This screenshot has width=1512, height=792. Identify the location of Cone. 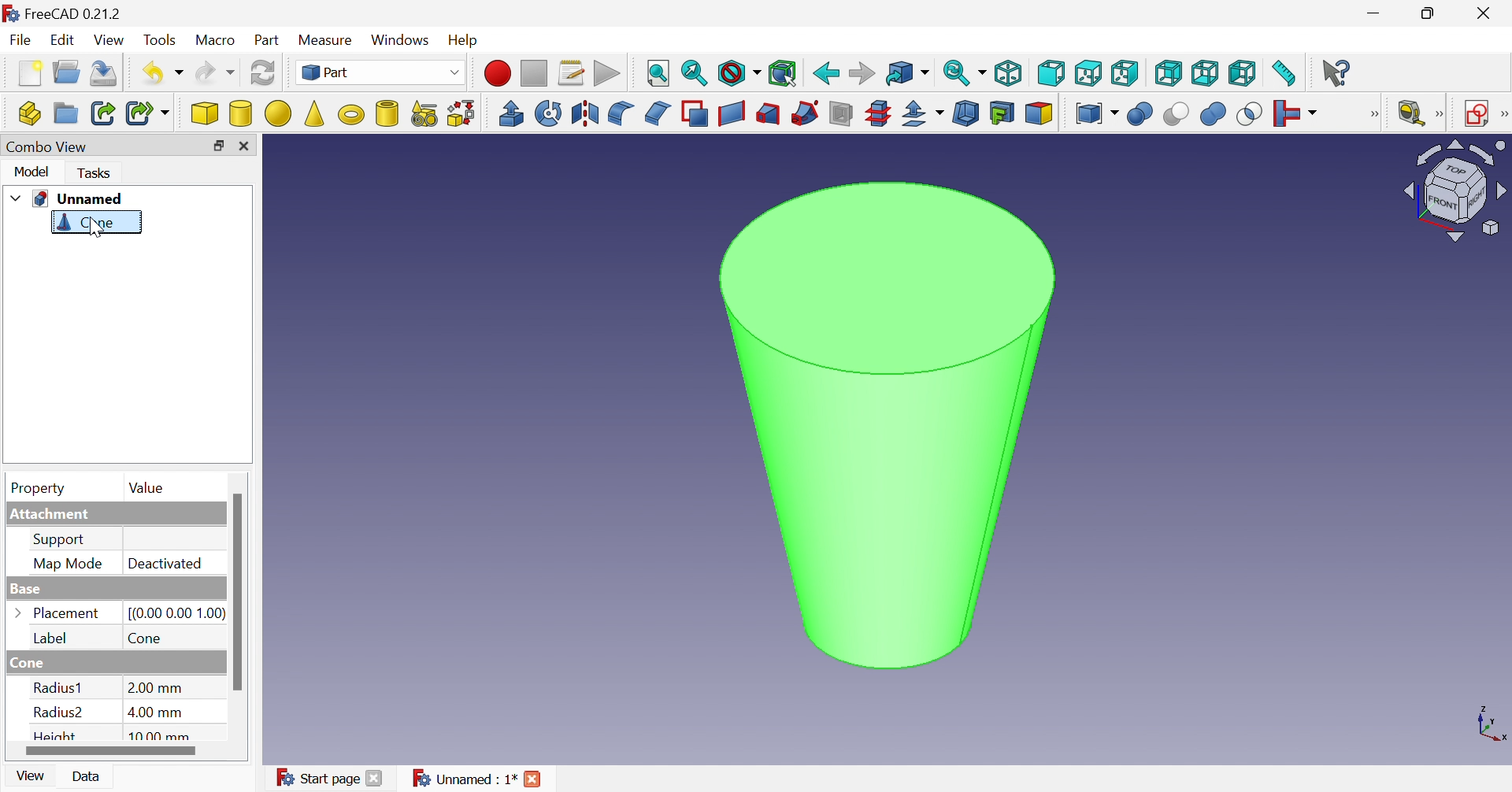
(145, 637).